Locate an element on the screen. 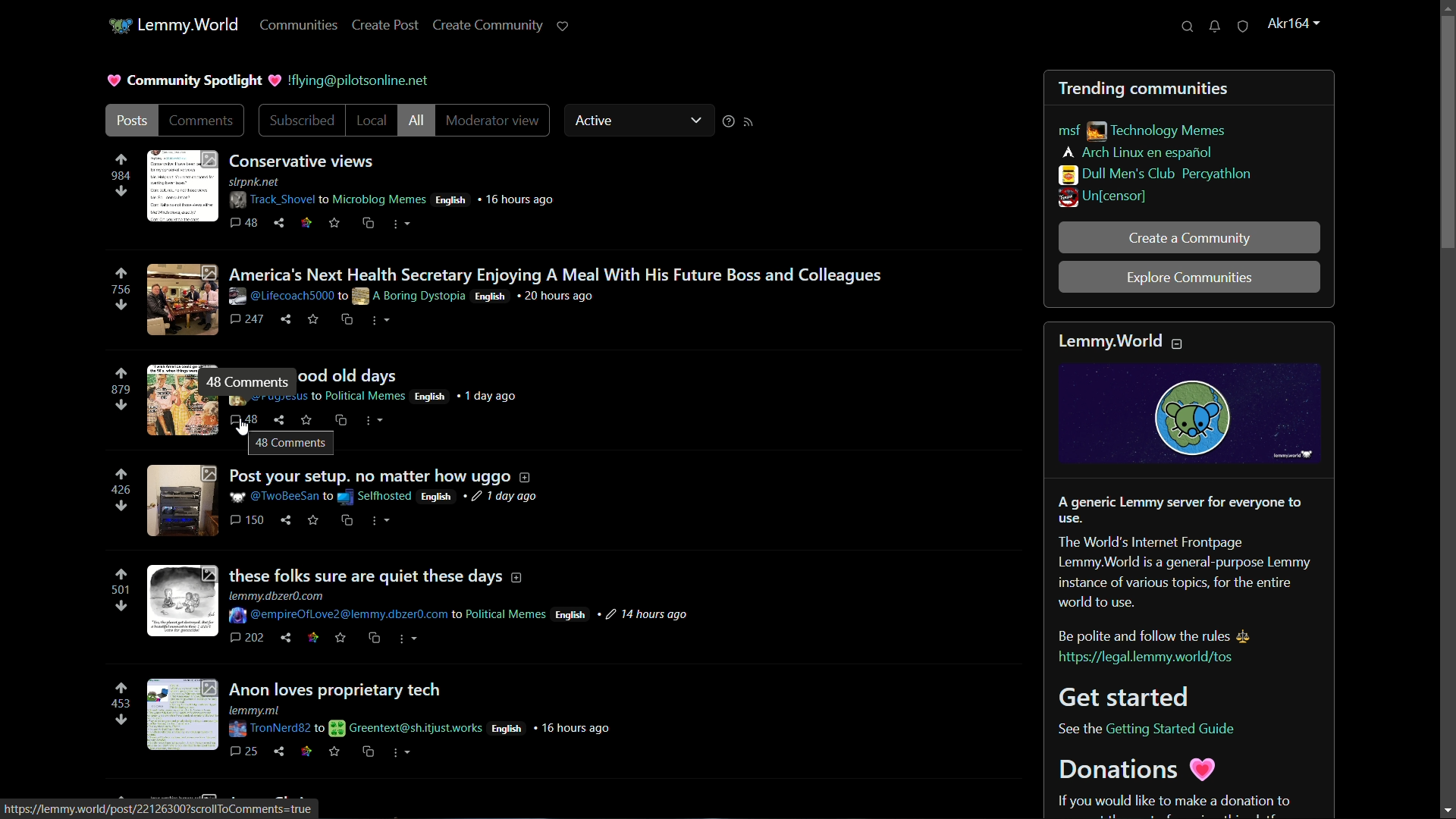  icon is located at coordinates (121, 27).